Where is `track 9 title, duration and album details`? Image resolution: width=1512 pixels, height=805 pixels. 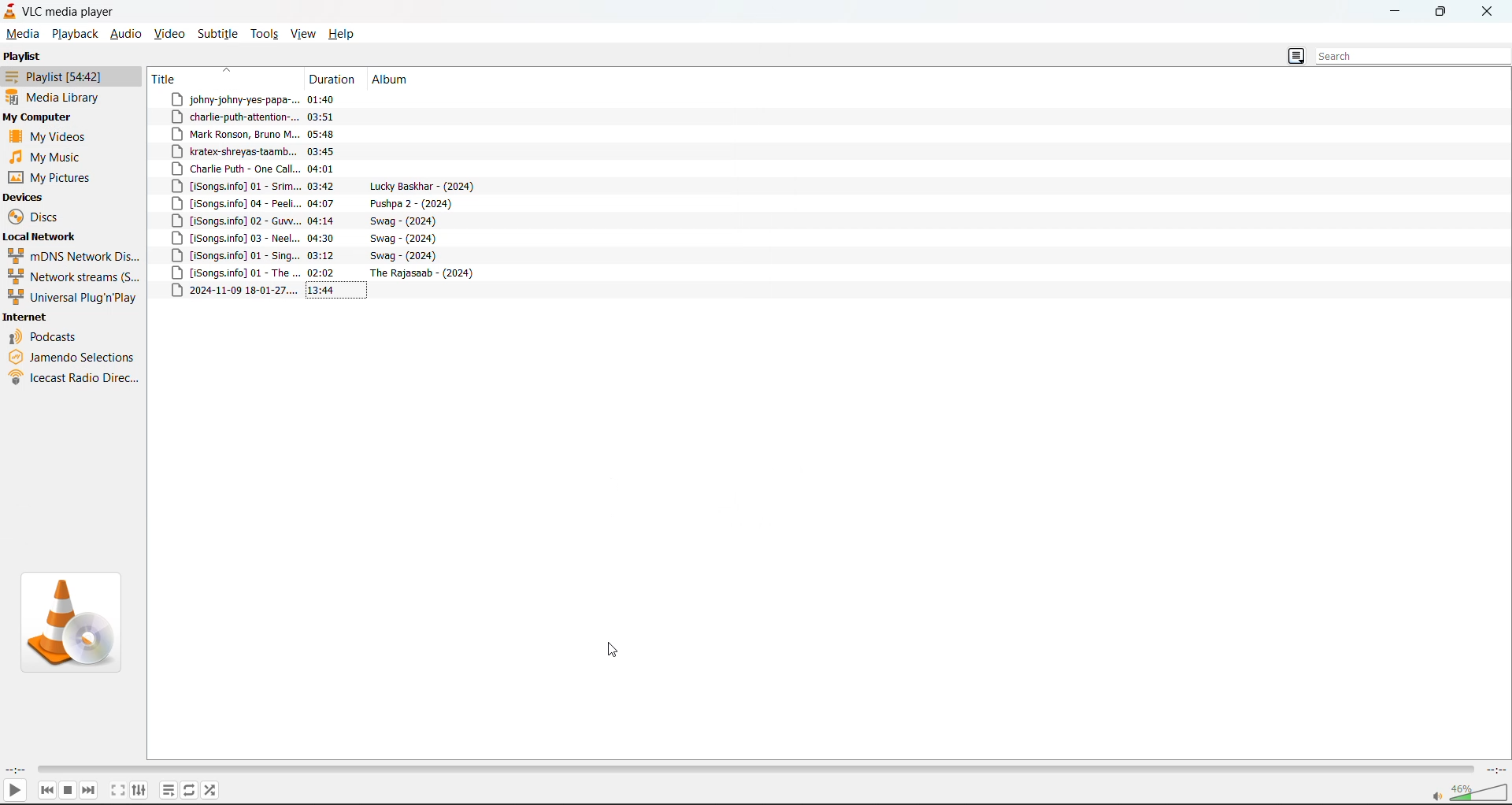 track 9 title, duration and album details is located at coordinates (313, 241).